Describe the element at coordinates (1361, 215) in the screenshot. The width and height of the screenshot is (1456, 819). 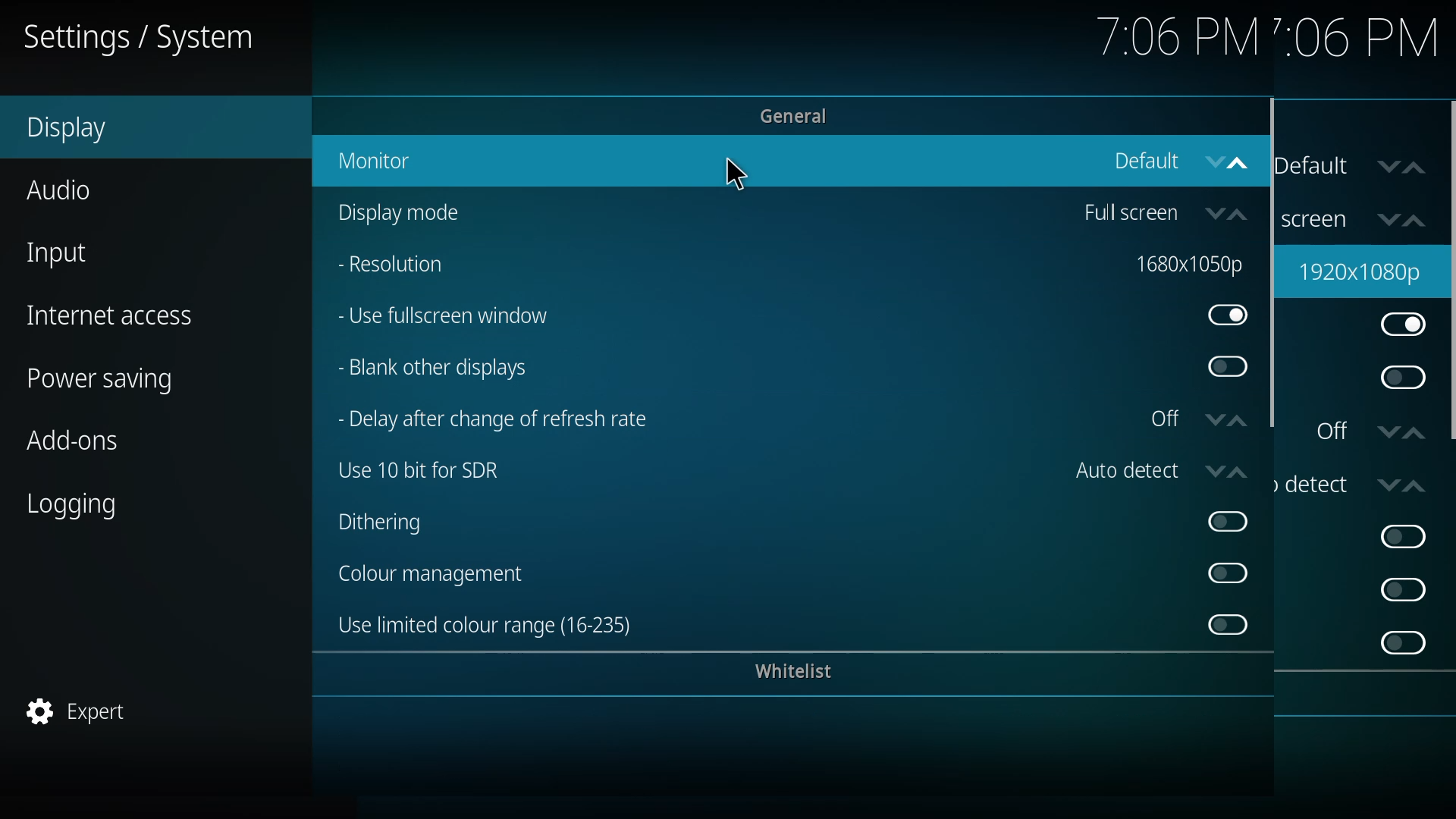
I see `fullscreen` at that location.